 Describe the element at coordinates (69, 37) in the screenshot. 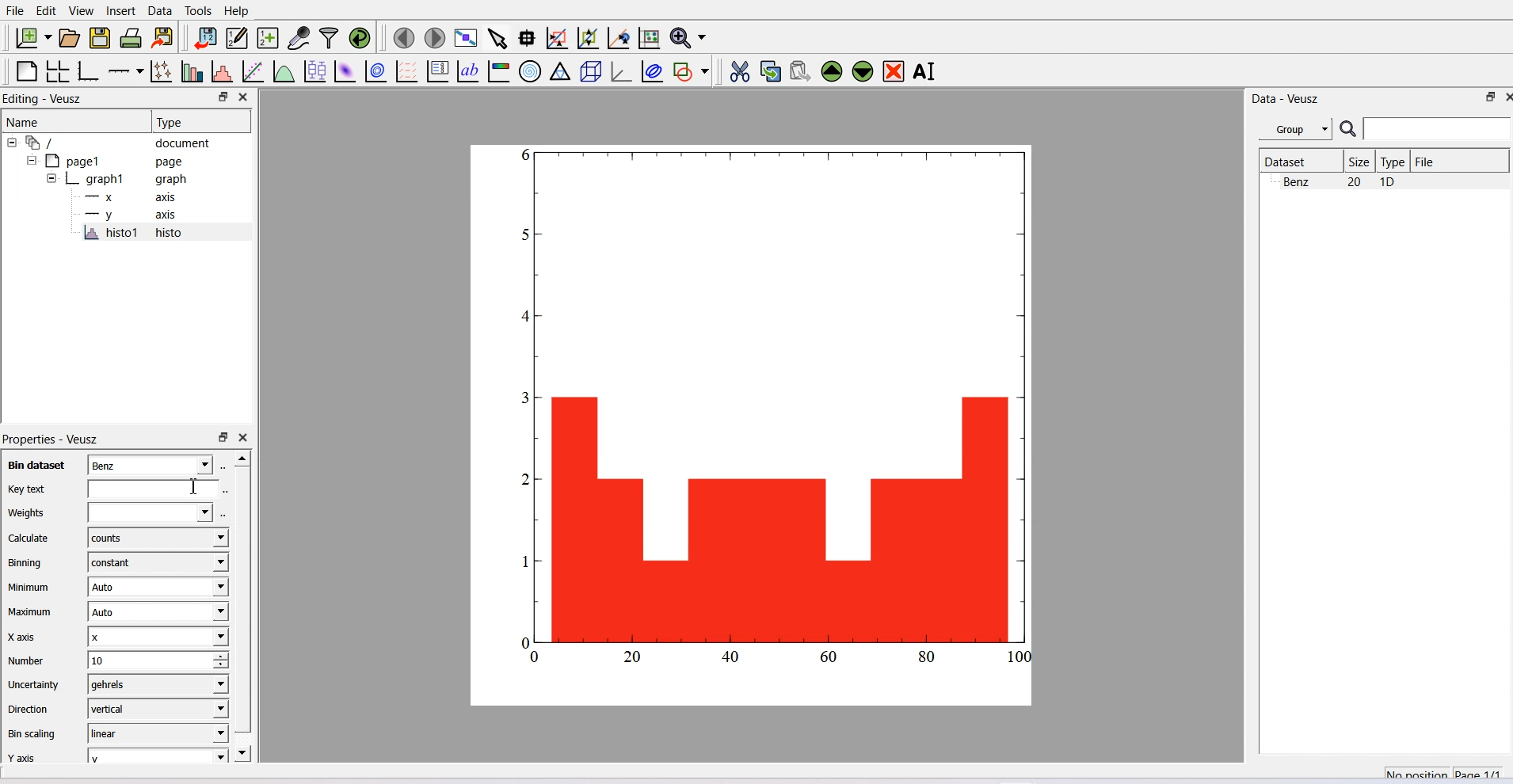

I see `Open a document` at that location.